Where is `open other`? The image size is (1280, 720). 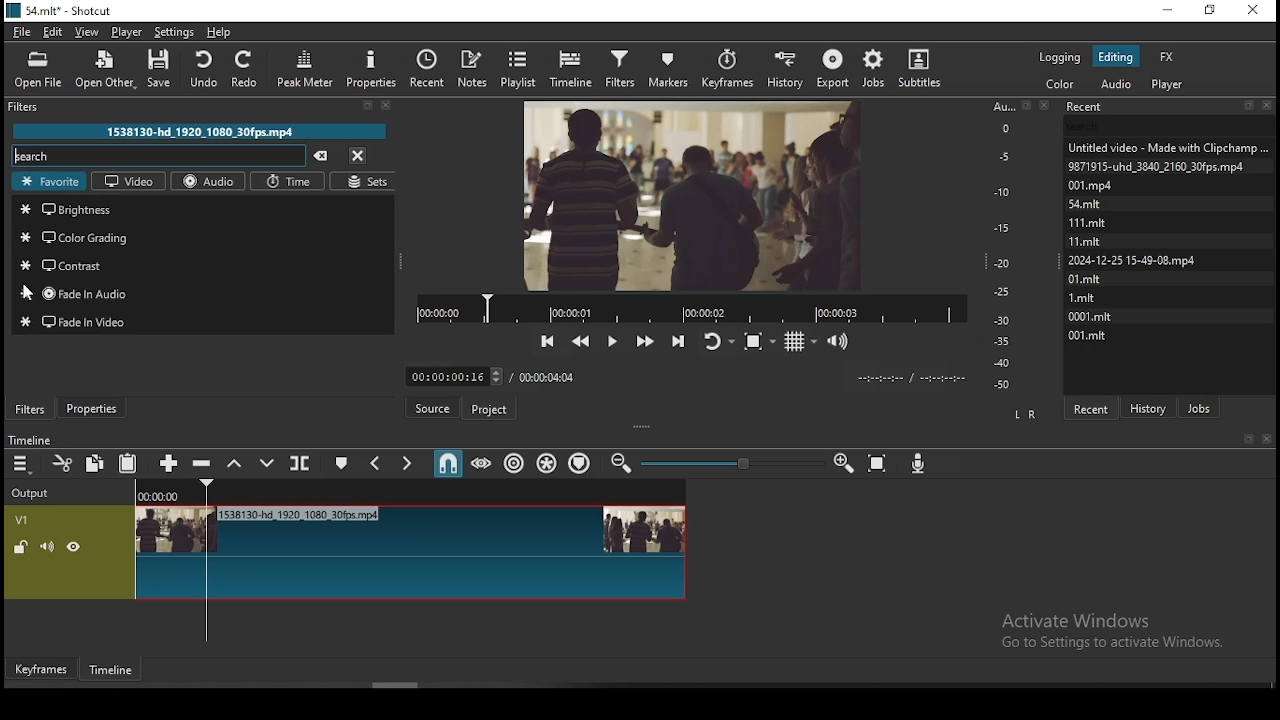 open other is located at coordinates (103, 71).